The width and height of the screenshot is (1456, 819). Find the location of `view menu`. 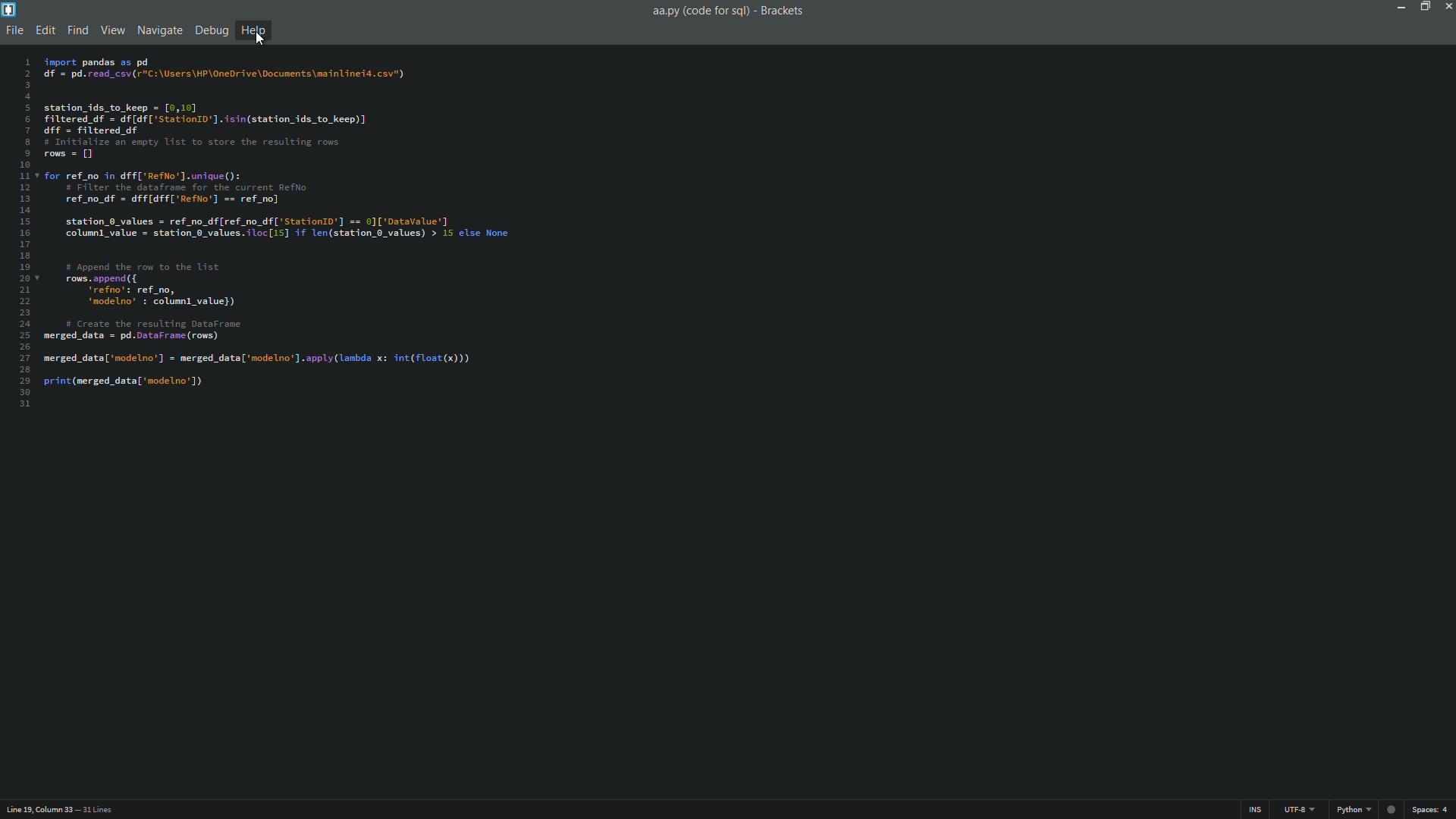

view menu is located at coordinates (110, 32).